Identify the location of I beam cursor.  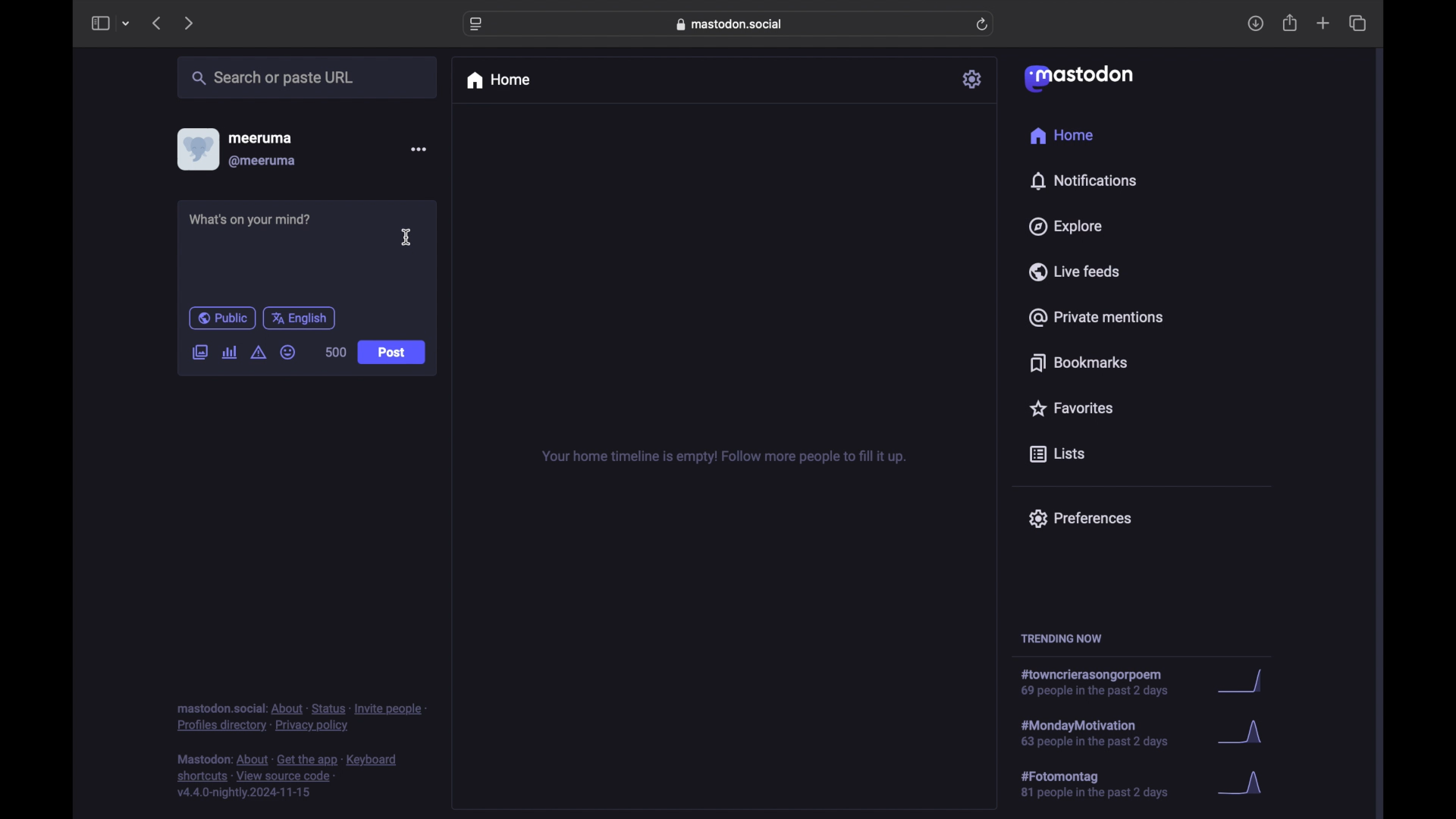
(406, 238).